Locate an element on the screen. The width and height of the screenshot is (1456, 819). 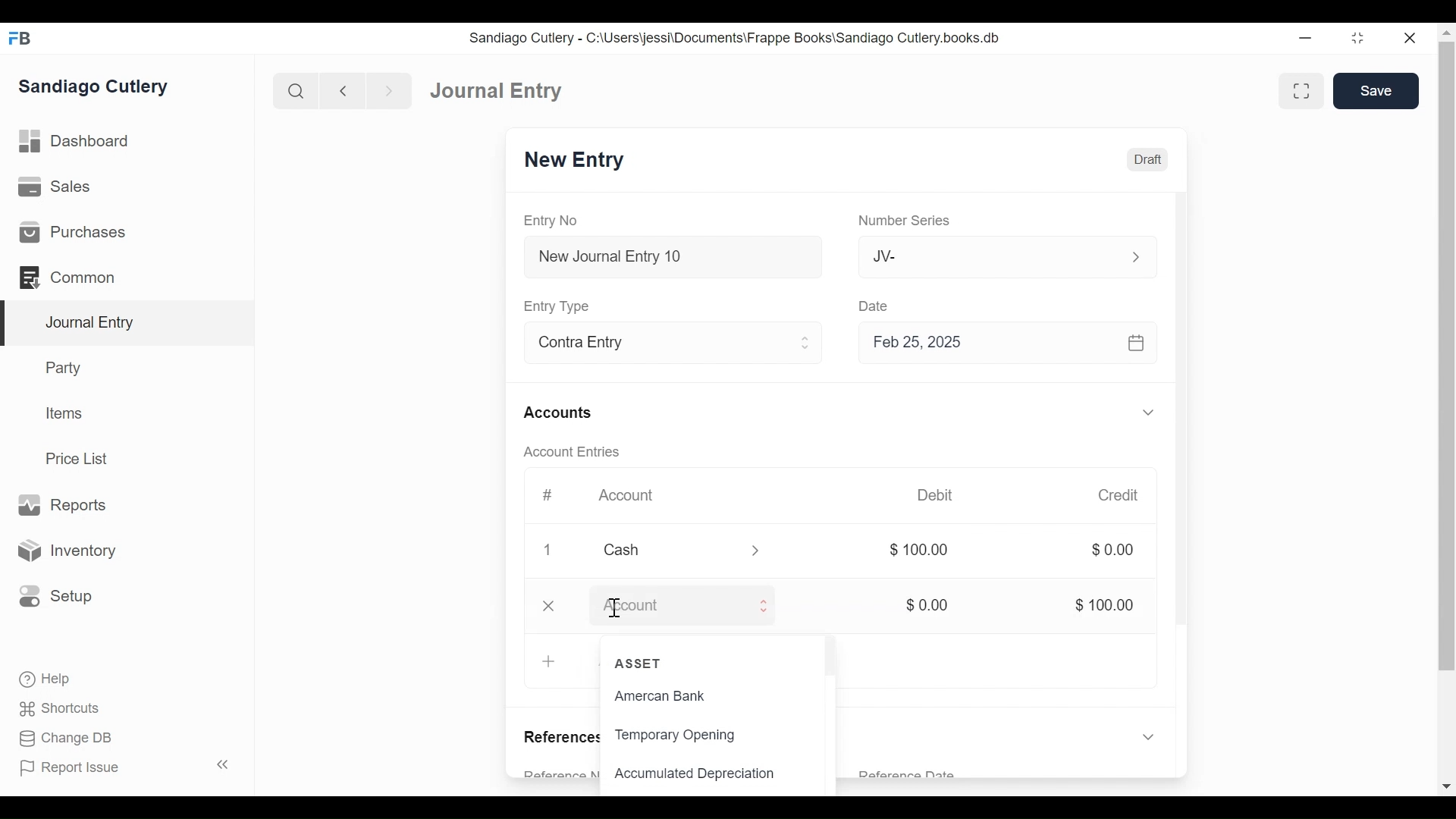
Expand is located at coordinates (1152, 736).